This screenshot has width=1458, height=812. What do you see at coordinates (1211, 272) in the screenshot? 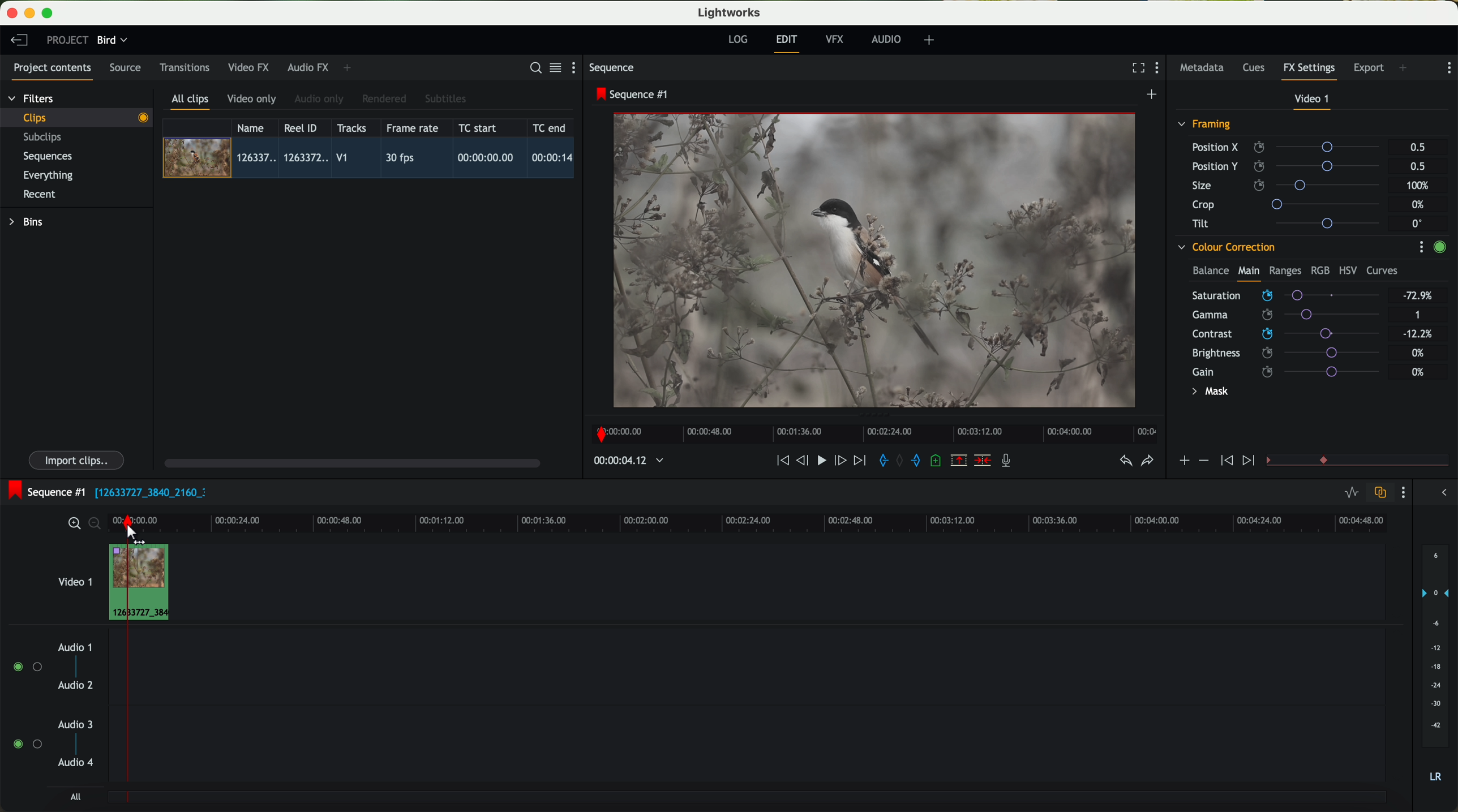
I see `balance` at bounding box center [1211, 272].